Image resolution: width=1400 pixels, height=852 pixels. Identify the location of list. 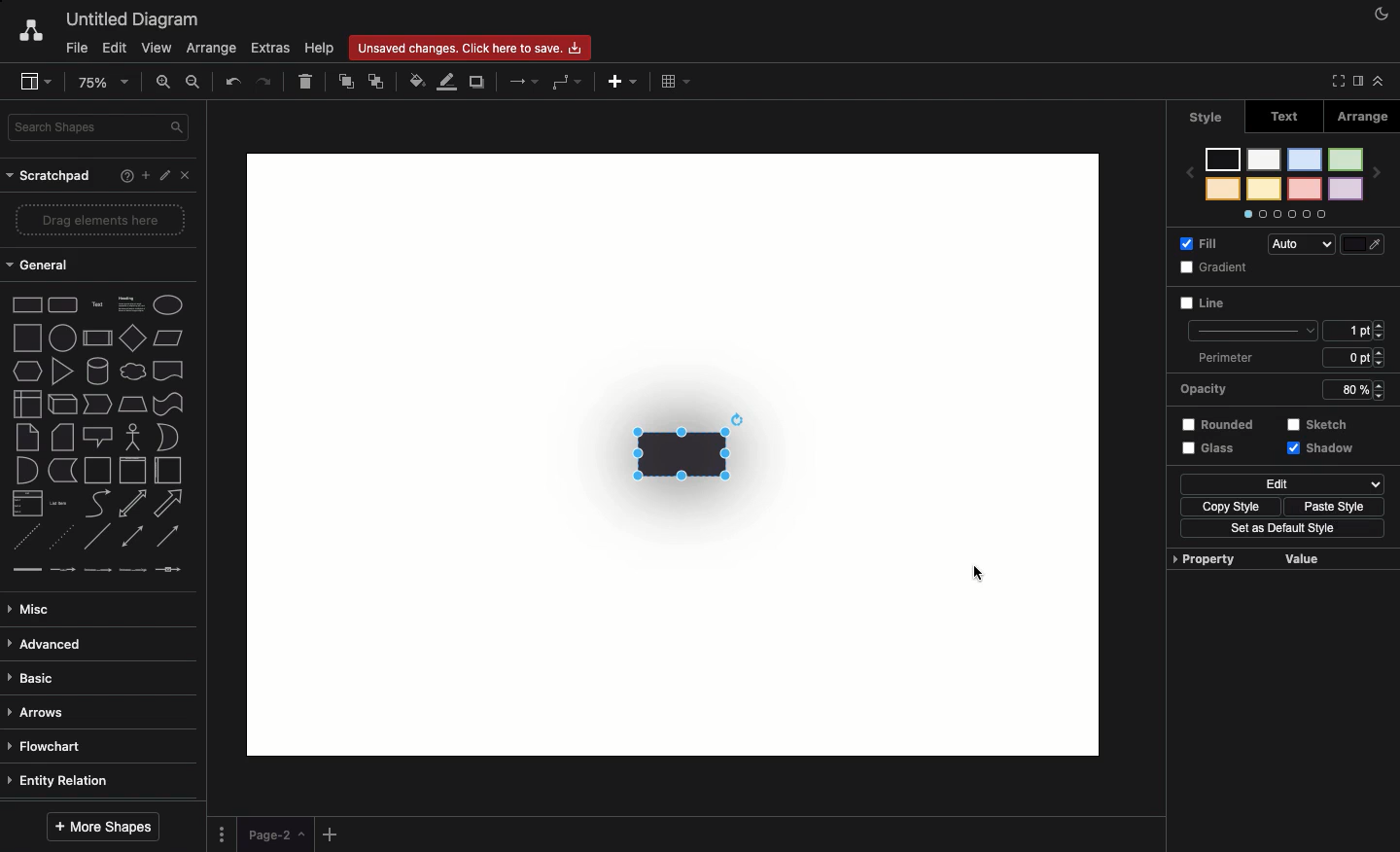
(24, 503).